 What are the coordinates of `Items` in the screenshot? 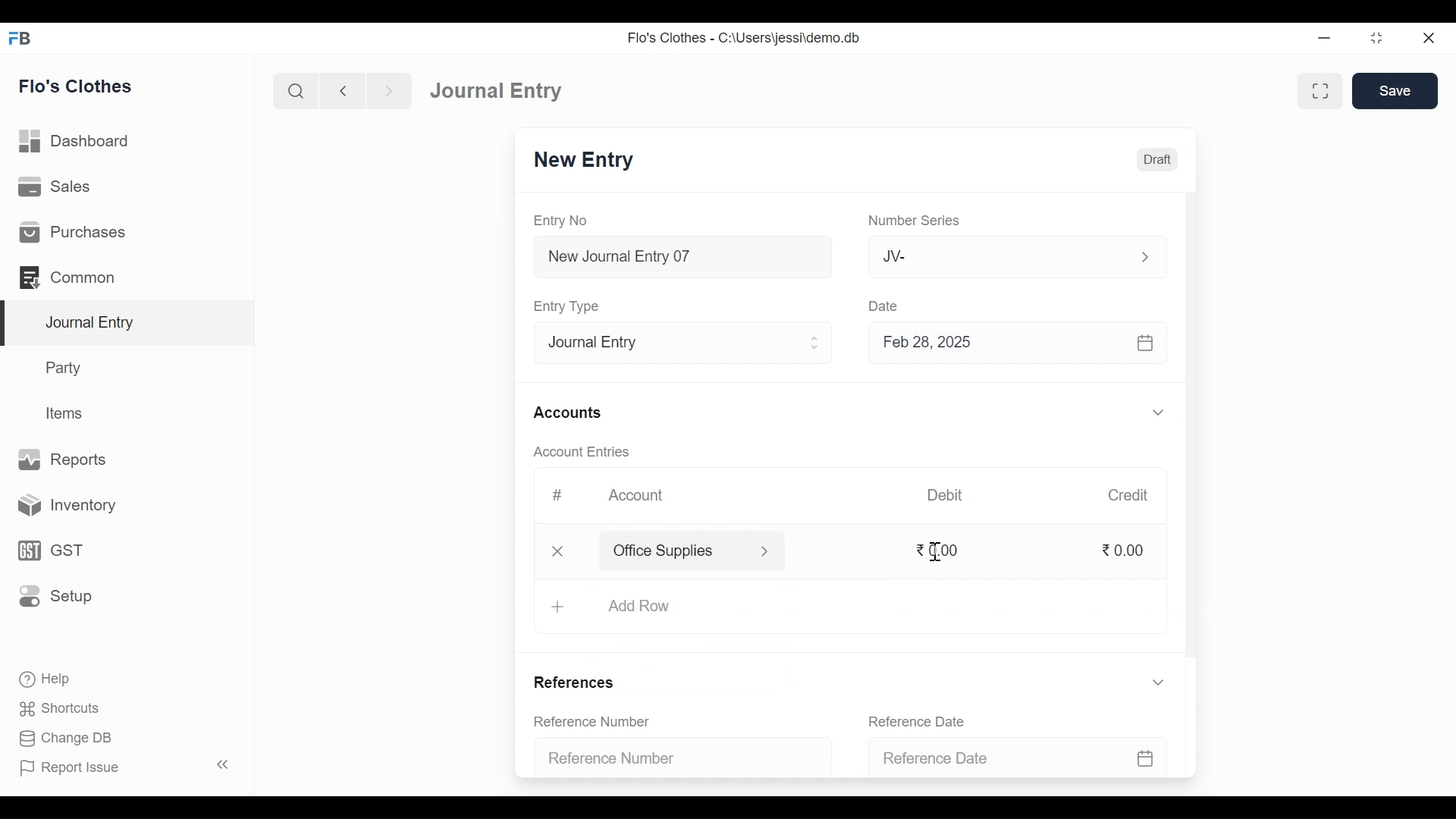 It's located at (67, 413).